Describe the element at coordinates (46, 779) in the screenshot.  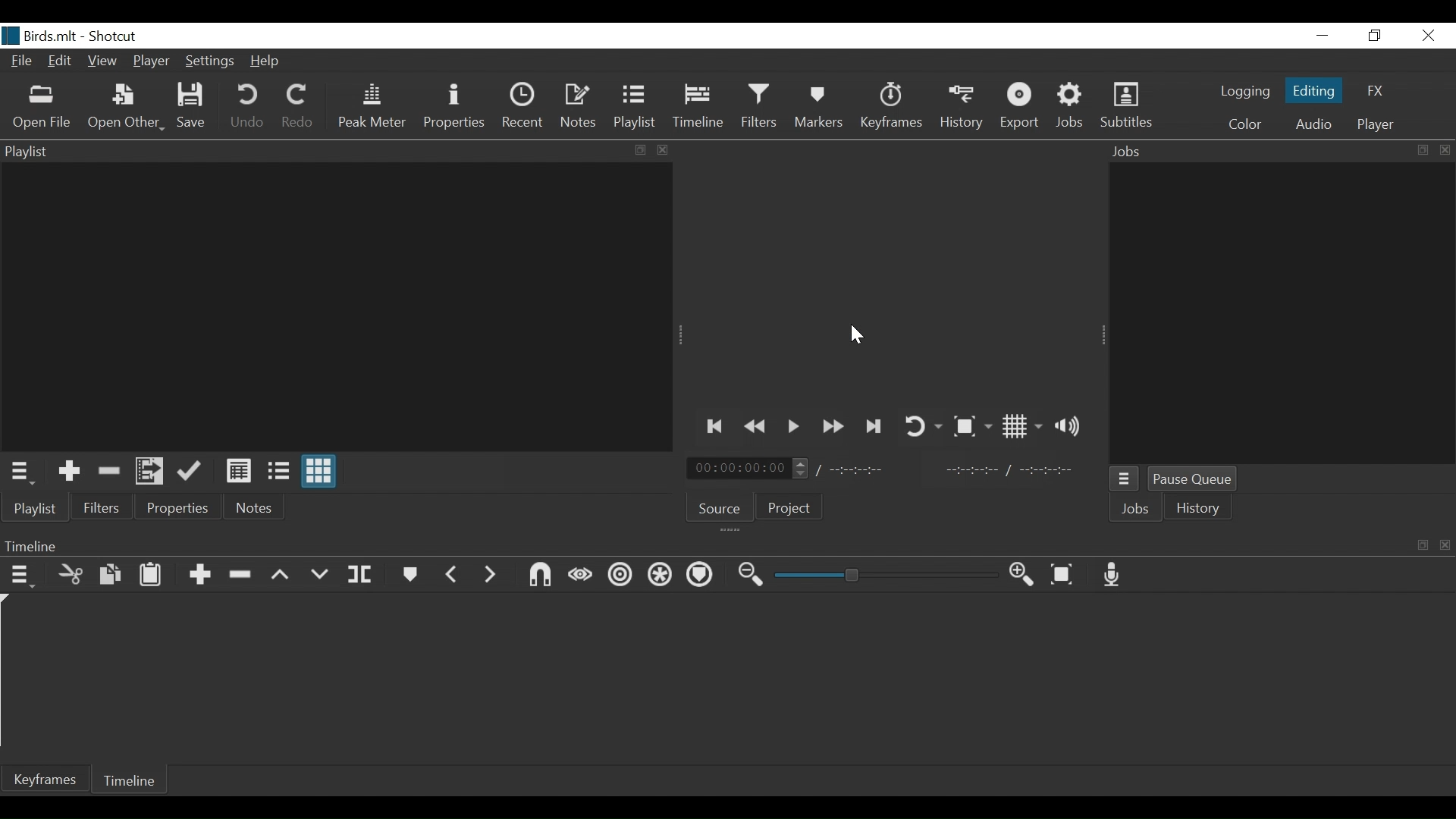
I see `Keyframe` at that location.